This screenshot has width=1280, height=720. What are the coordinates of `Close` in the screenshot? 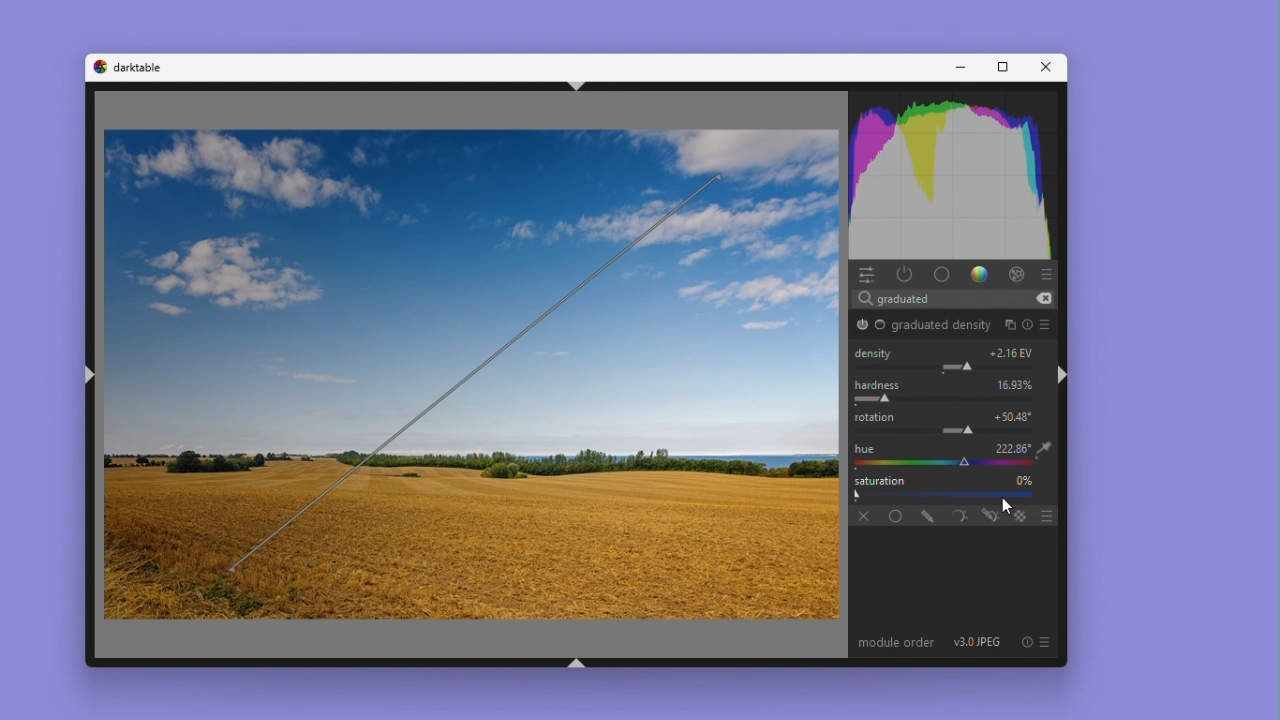 It's located at (1043, 67).